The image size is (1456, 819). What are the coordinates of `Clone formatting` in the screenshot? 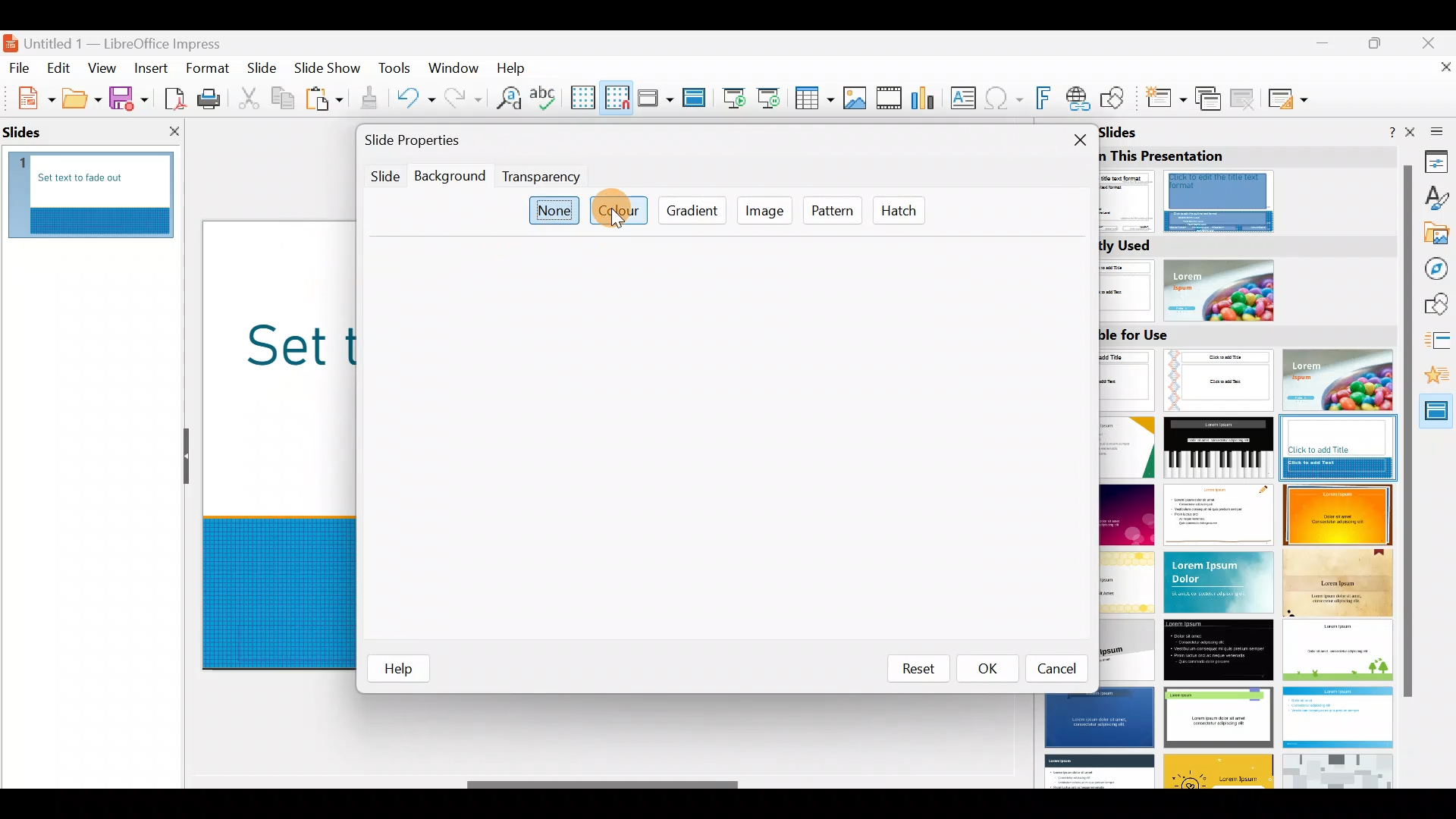 It's located at (372, 99).